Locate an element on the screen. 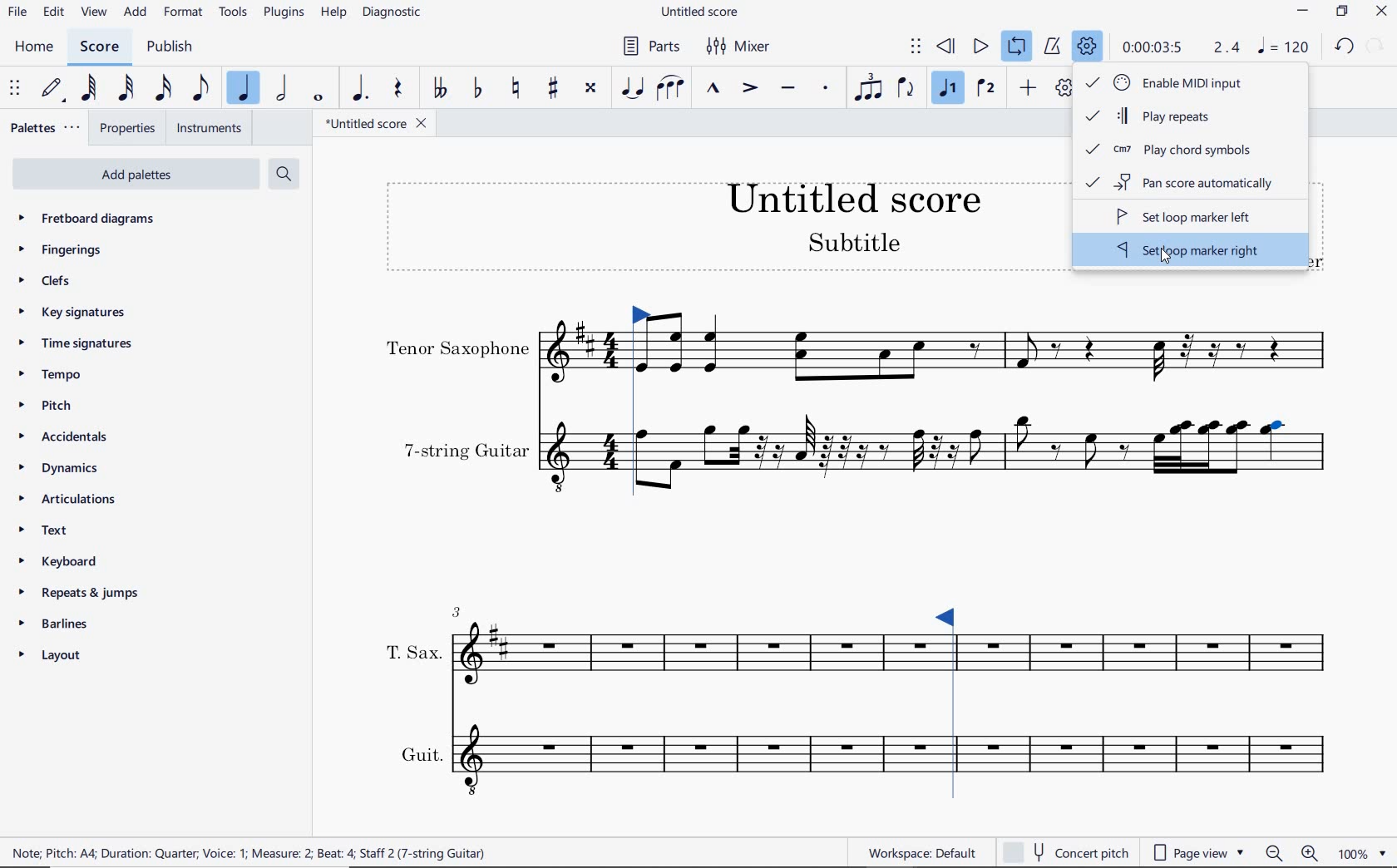 The width and height of the screenshot is (1397, 868). LAYOUT is located at coordinates (49, 657).